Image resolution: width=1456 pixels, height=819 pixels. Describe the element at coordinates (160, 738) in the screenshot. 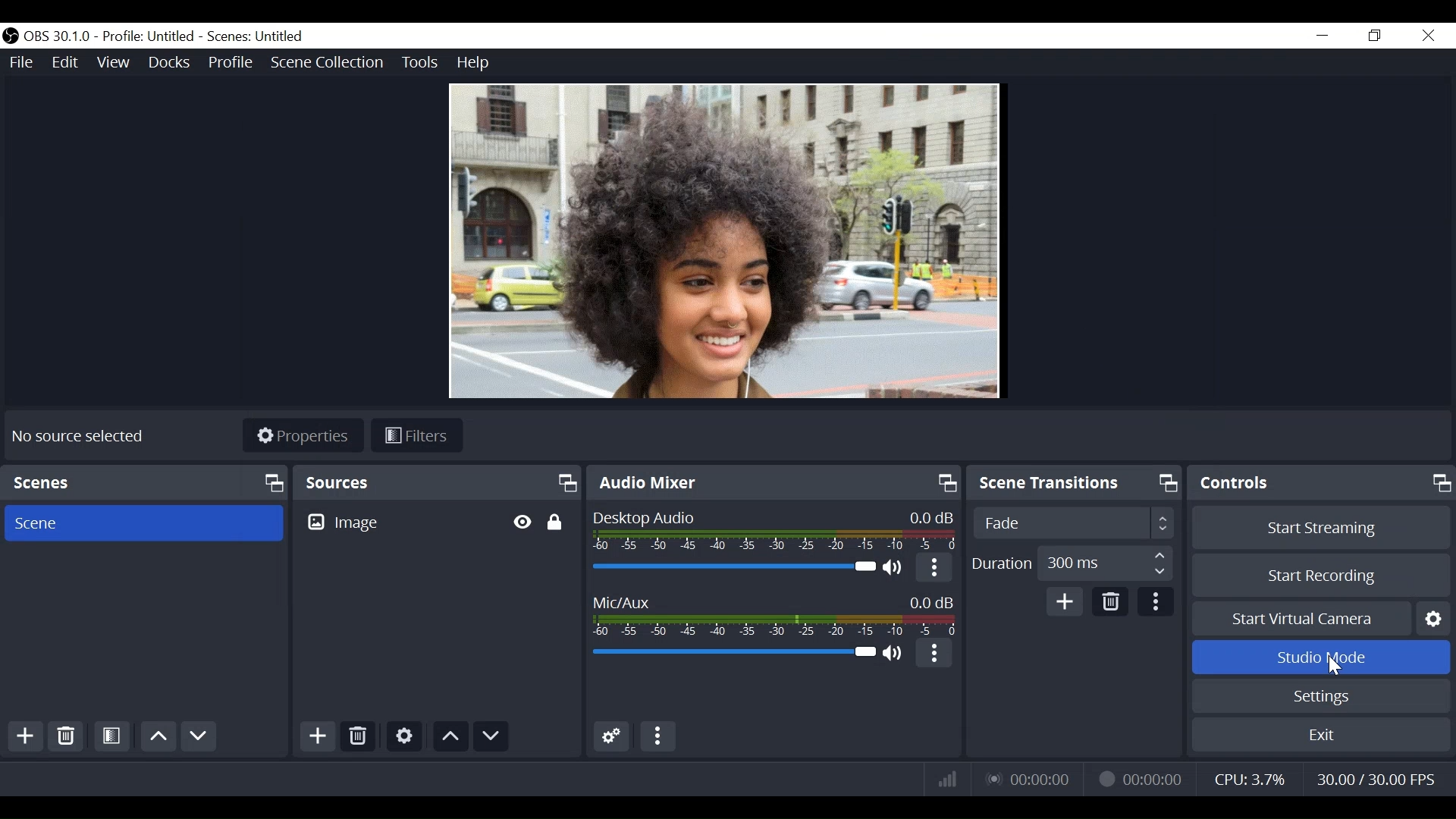

I see `Move Scene Up` at that location.